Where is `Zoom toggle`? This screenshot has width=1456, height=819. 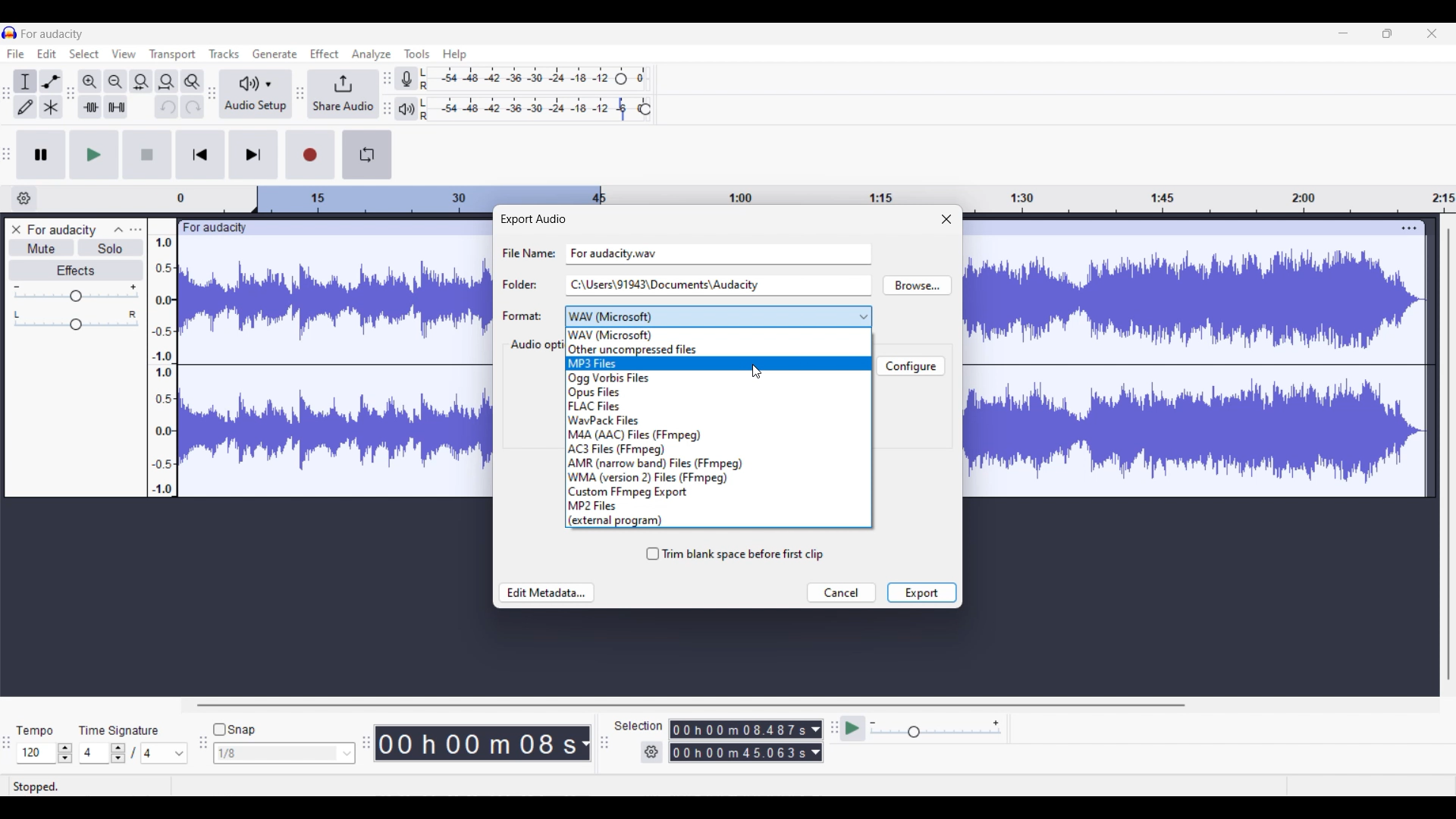
Zoom toggle is located at coordinates (192, 82).